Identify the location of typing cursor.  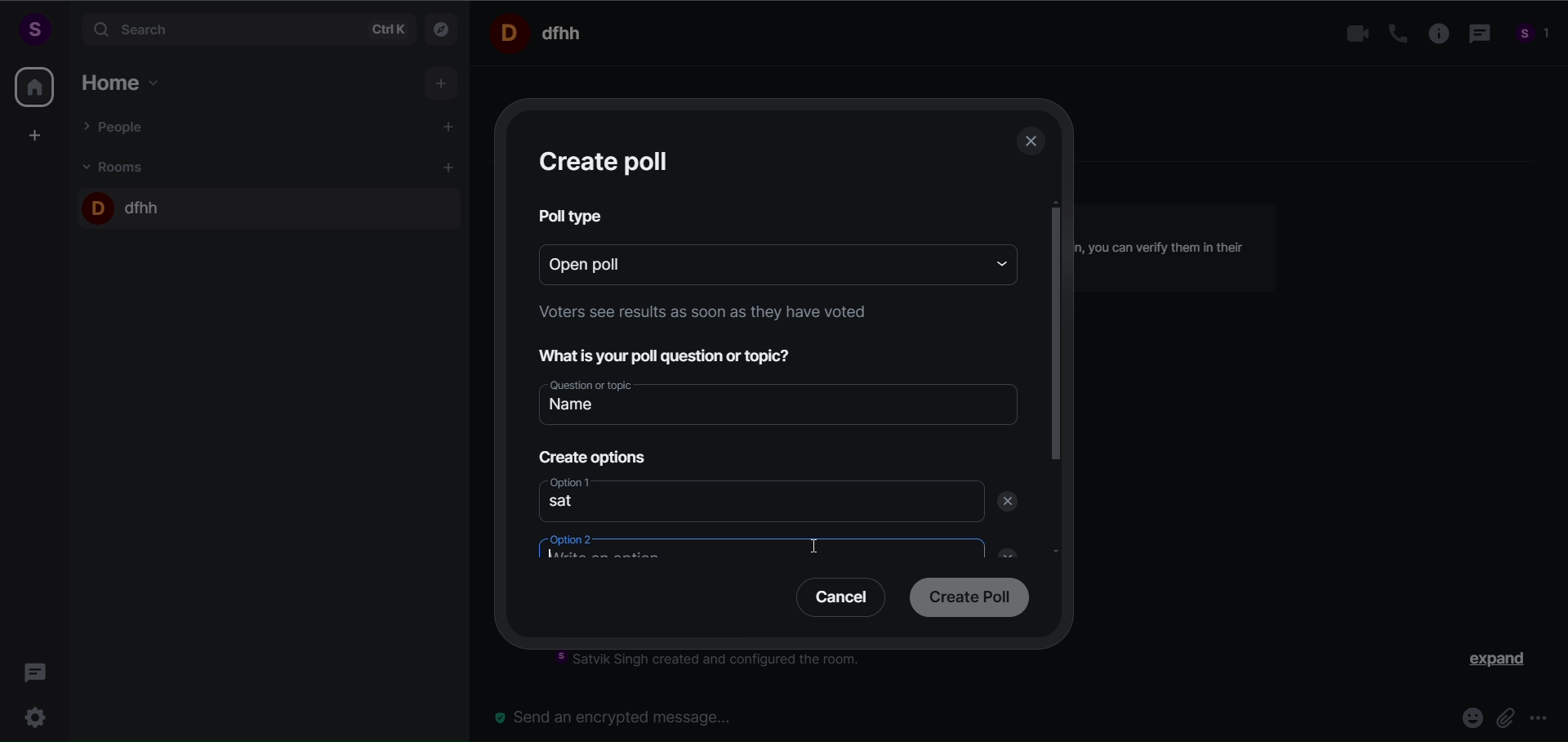
(561, 556).